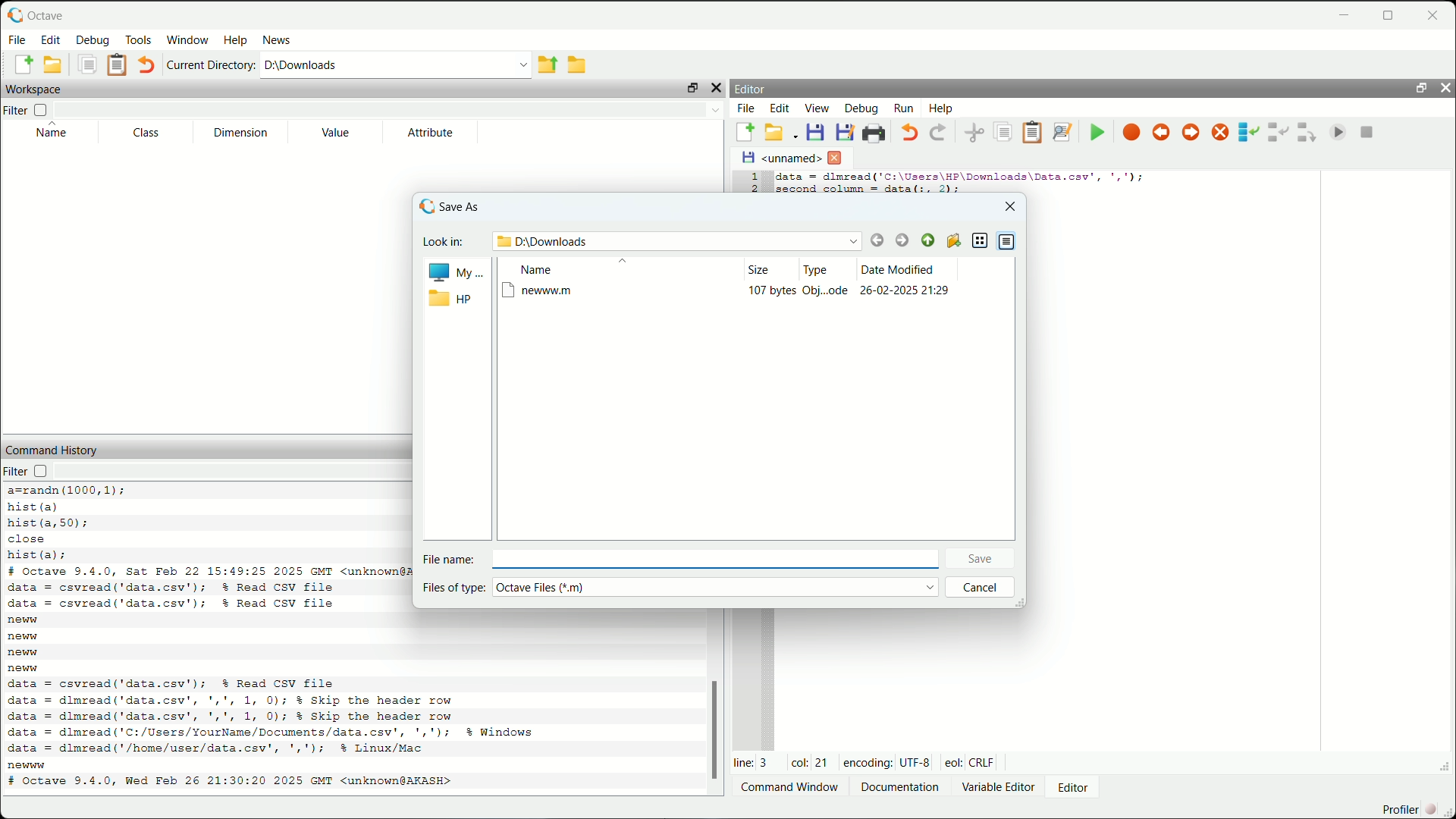 Image resolution: width=1456 pixels, height=819 pixels. Describe the element at coordinates (1345, 11) in the screenshot. I see `minimize` at that location.